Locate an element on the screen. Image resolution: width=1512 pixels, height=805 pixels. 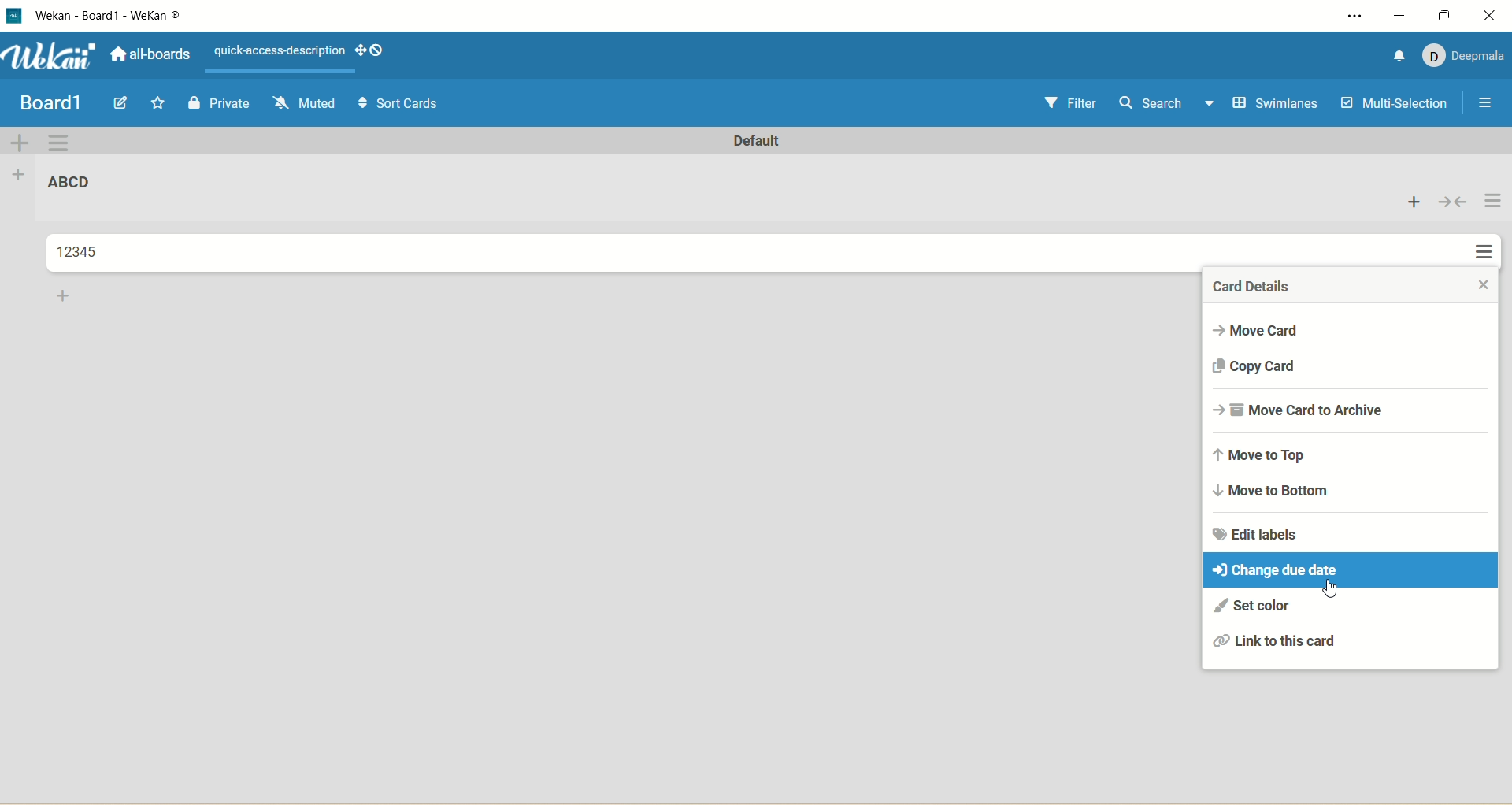
maximize is located at coordinates (1447, 15).